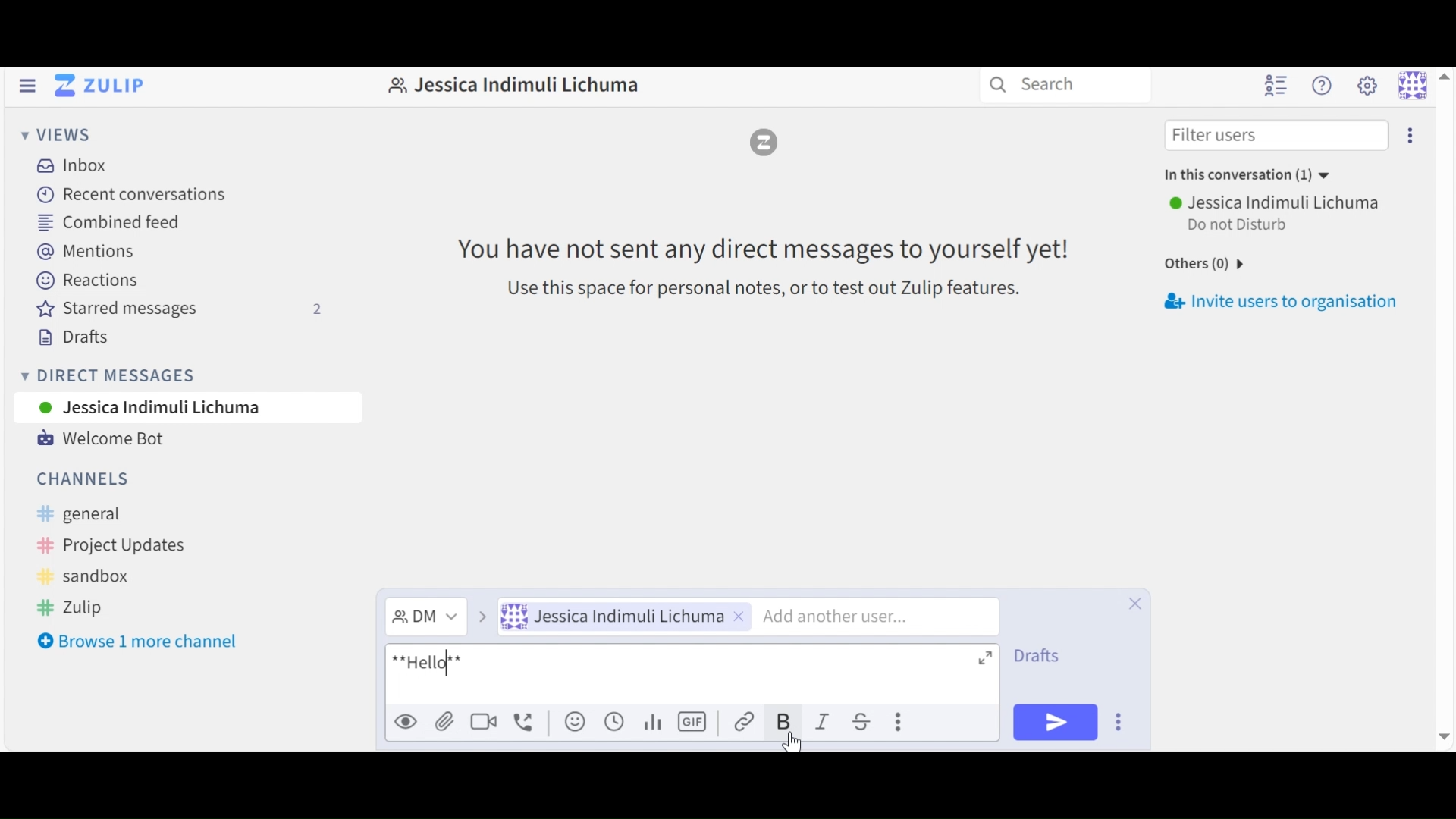 The image size is (1456, 819). What do you see at coordinates (867, 721) in the screenshot?
I see `Strikethrough` at bounding box center [867, 721].